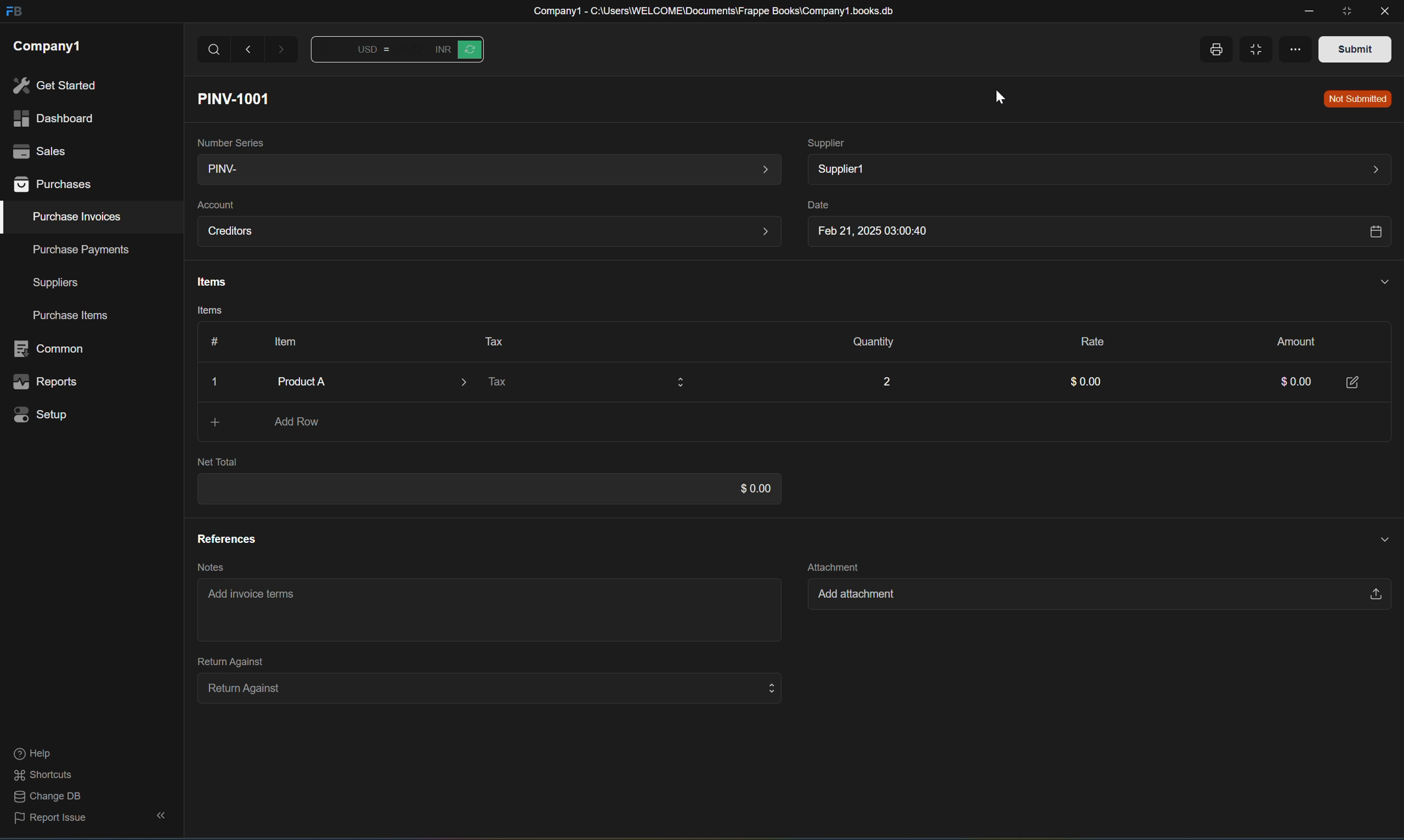 The width and height of the screenshot is (1404, 840). What do you see at coordinates (1355, 48) in the screenshot?
I see `Submit` at bounding box center [1355, 48].